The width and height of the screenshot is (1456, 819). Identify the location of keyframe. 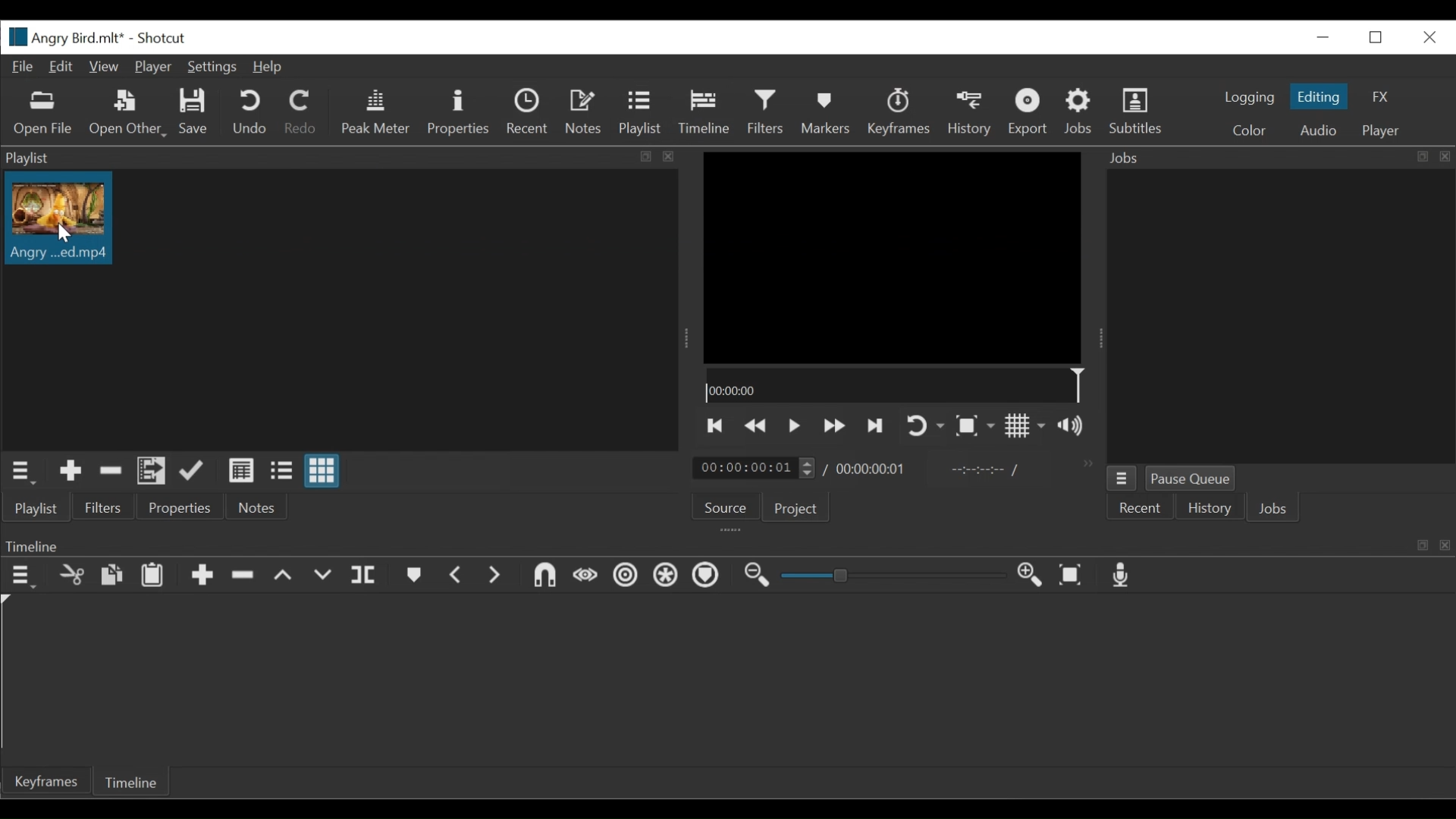
(49, 783).